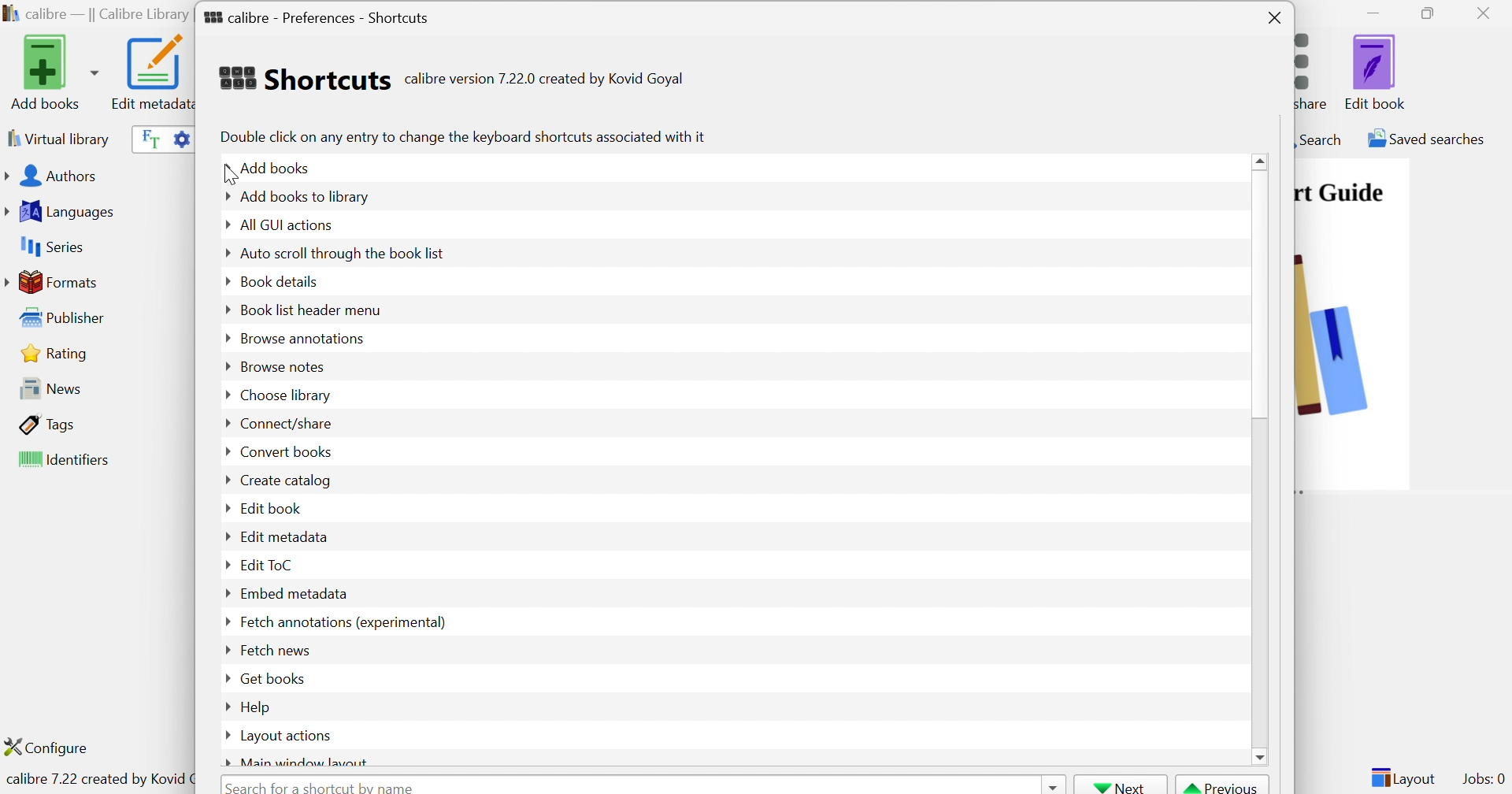  Describe the element at coordinates (461, 136) in the screenshot. I see `Double click on any entry to change the keyboard shortcuts associated with it` at that location.